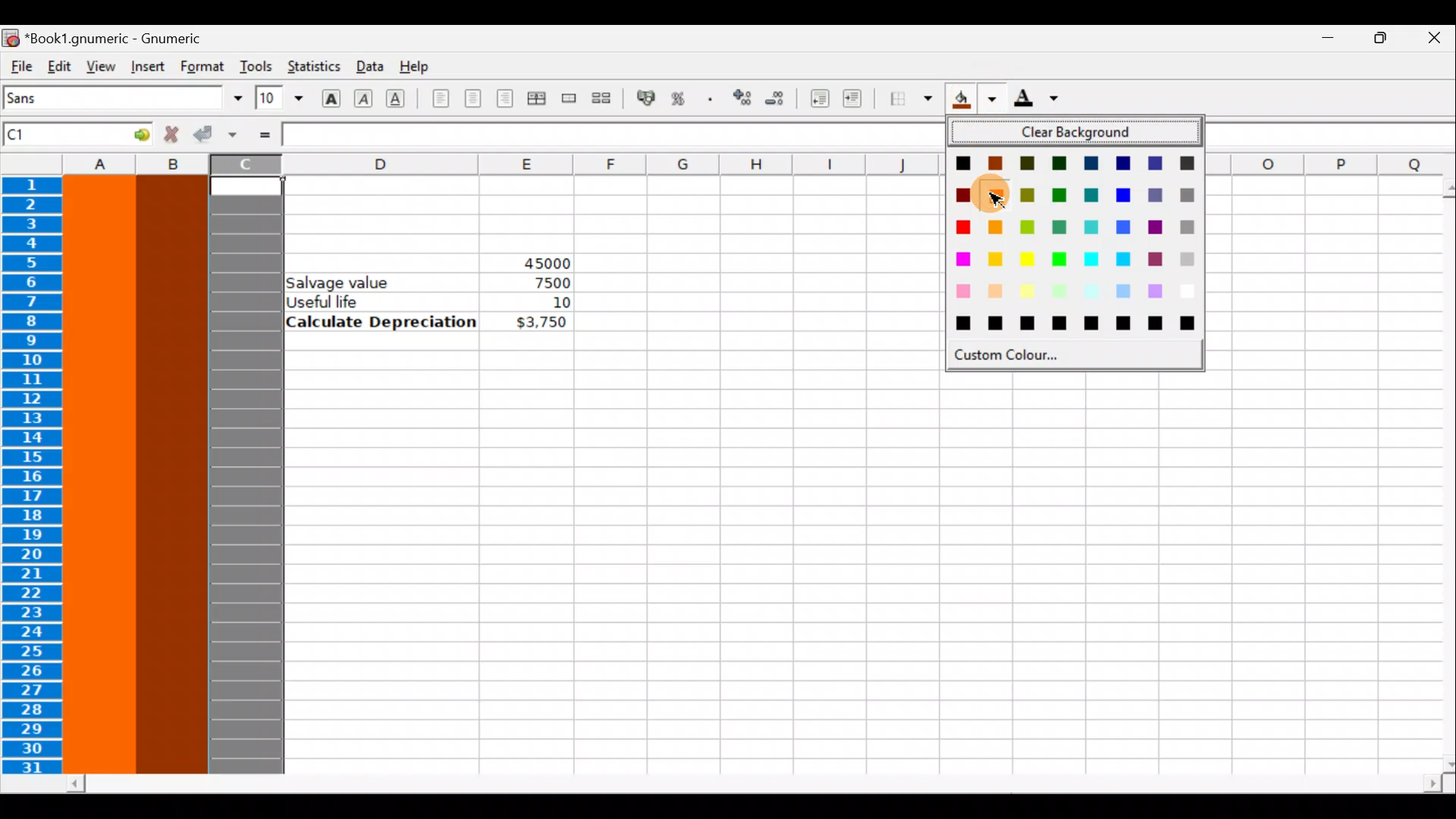  Describe the element at coordinates (1041, 99) in the screenshot. I see `Foreground` at that location.